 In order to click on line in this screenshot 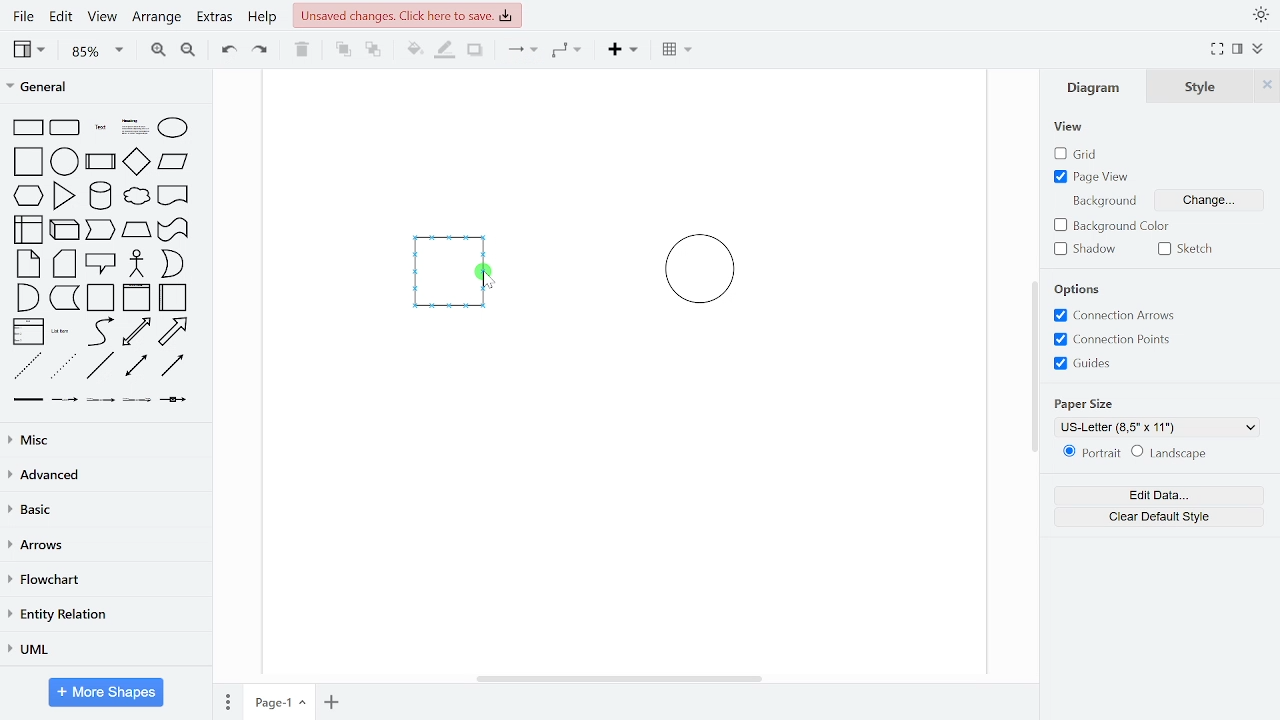, I will do `click(100, 366)`.